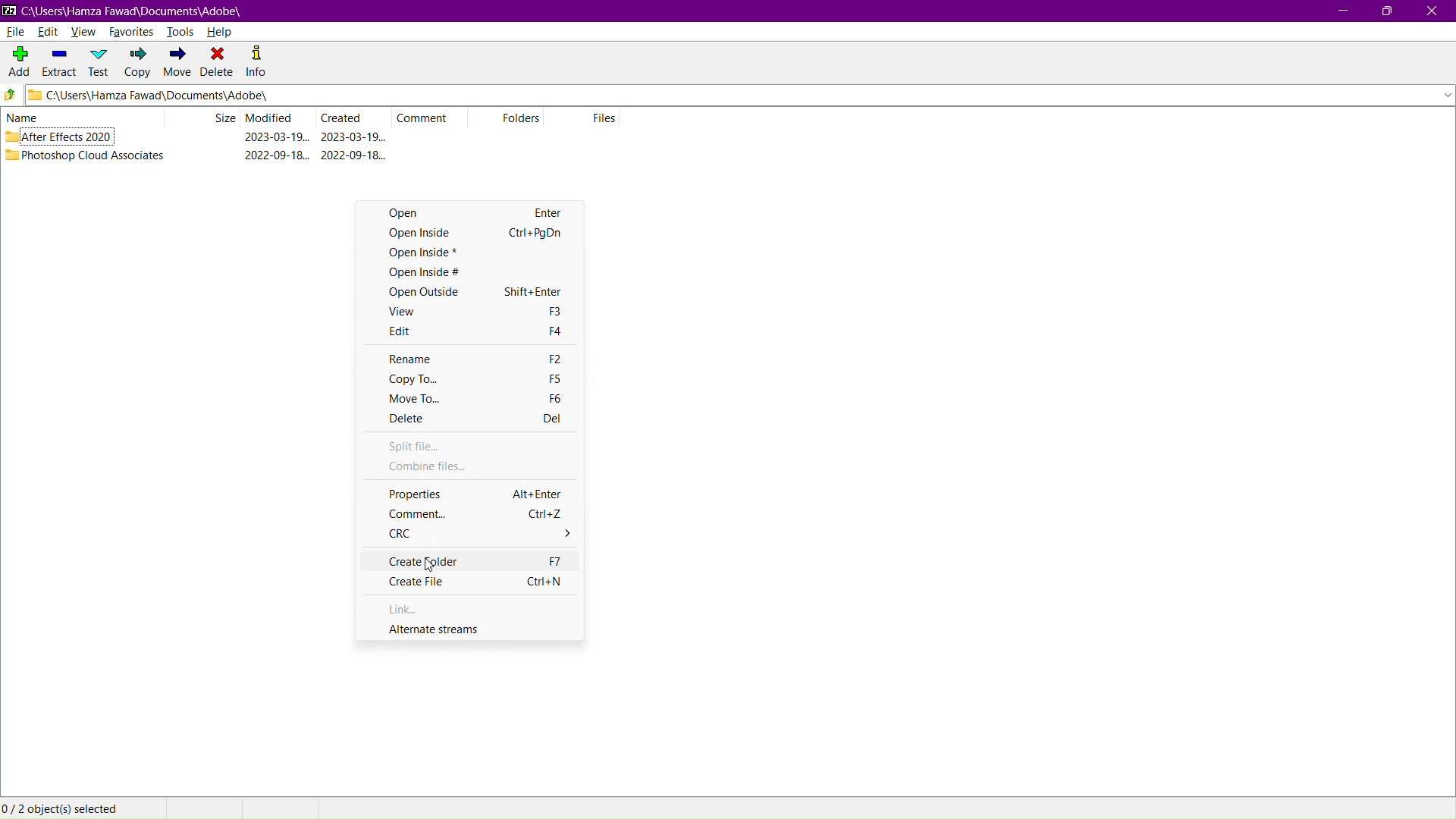 This screenshot has height=819, width=1456. What do you see at coordinates (354, 117) in the screenshot?
I see `Created` at bounding box center [354, 117].